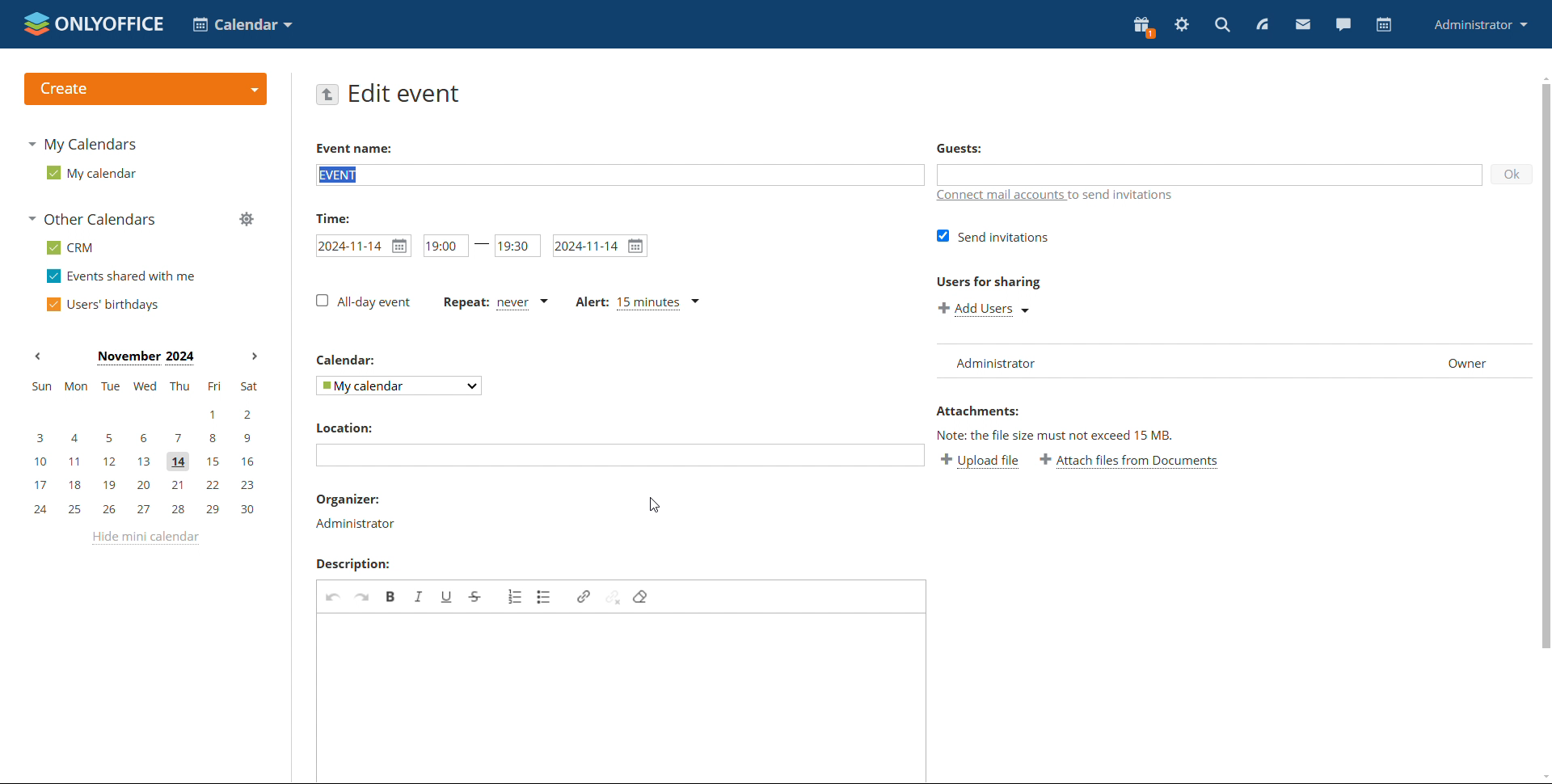  Describe the element at coordinates (475, 596) in the screenshot. I see `strikethrough` at that location.